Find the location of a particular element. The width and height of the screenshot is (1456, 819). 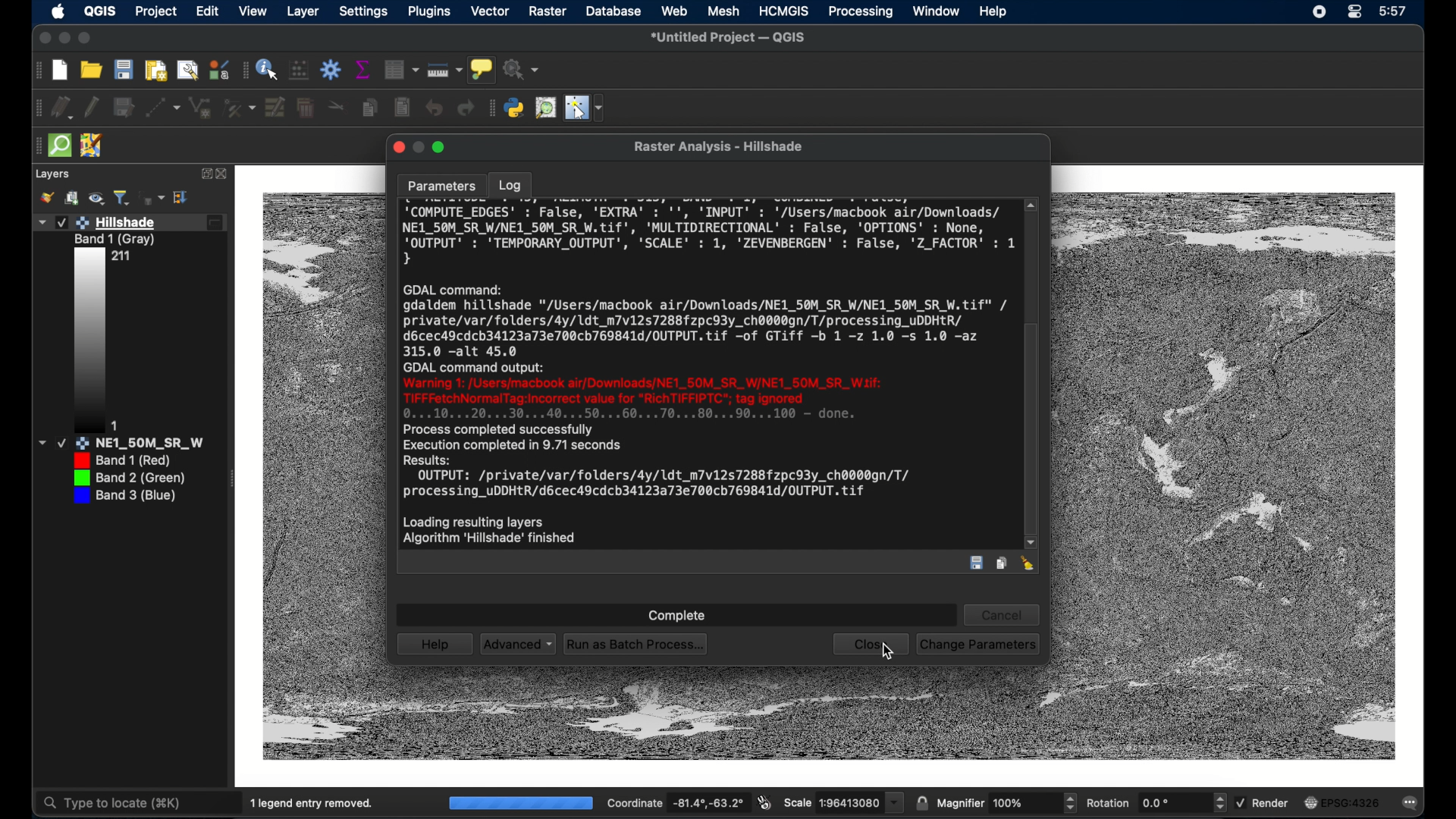

new is located at coordinates (59, 69).